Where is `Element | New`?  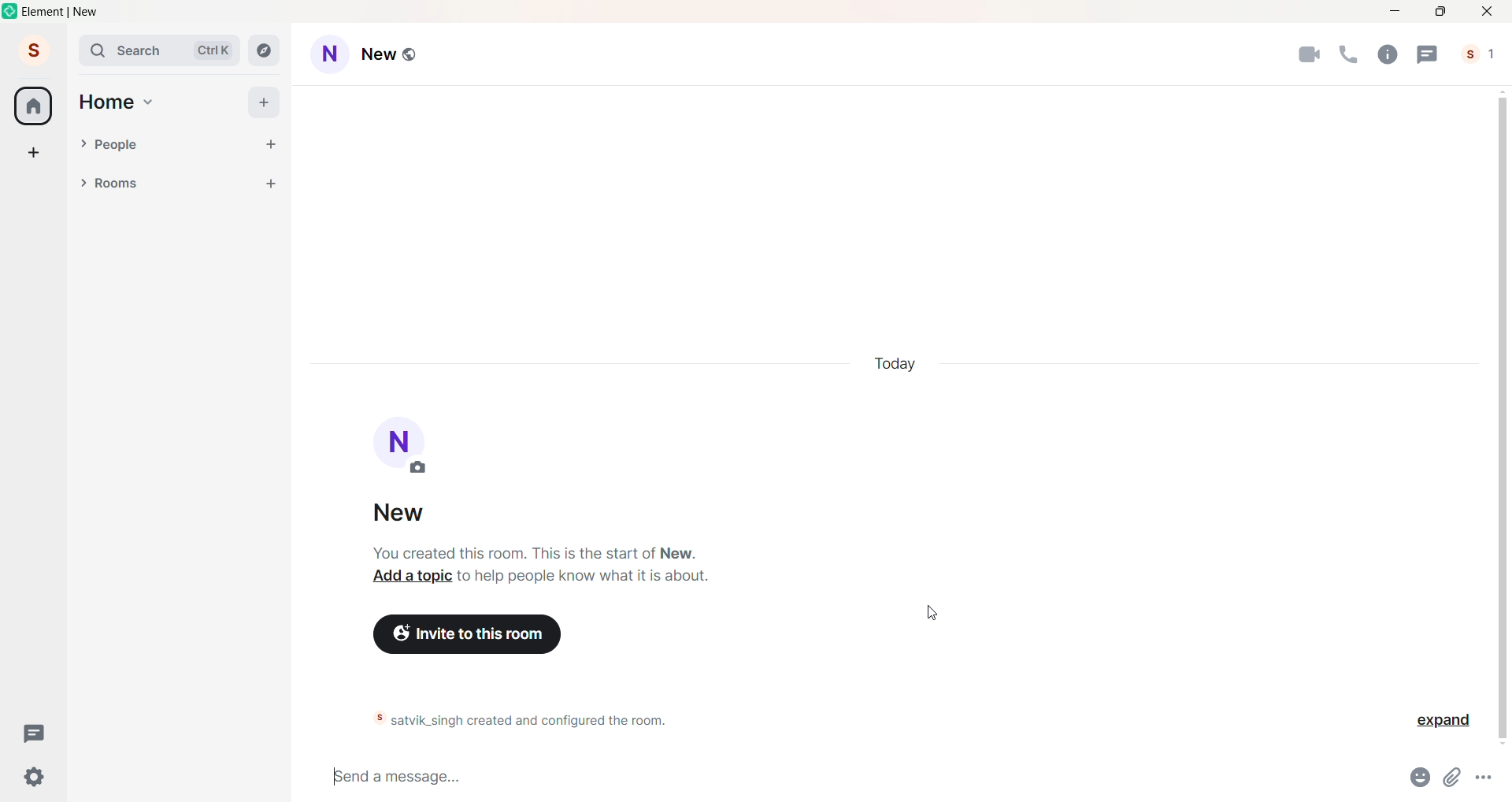
Element | New is located at coordinates (62, 12).